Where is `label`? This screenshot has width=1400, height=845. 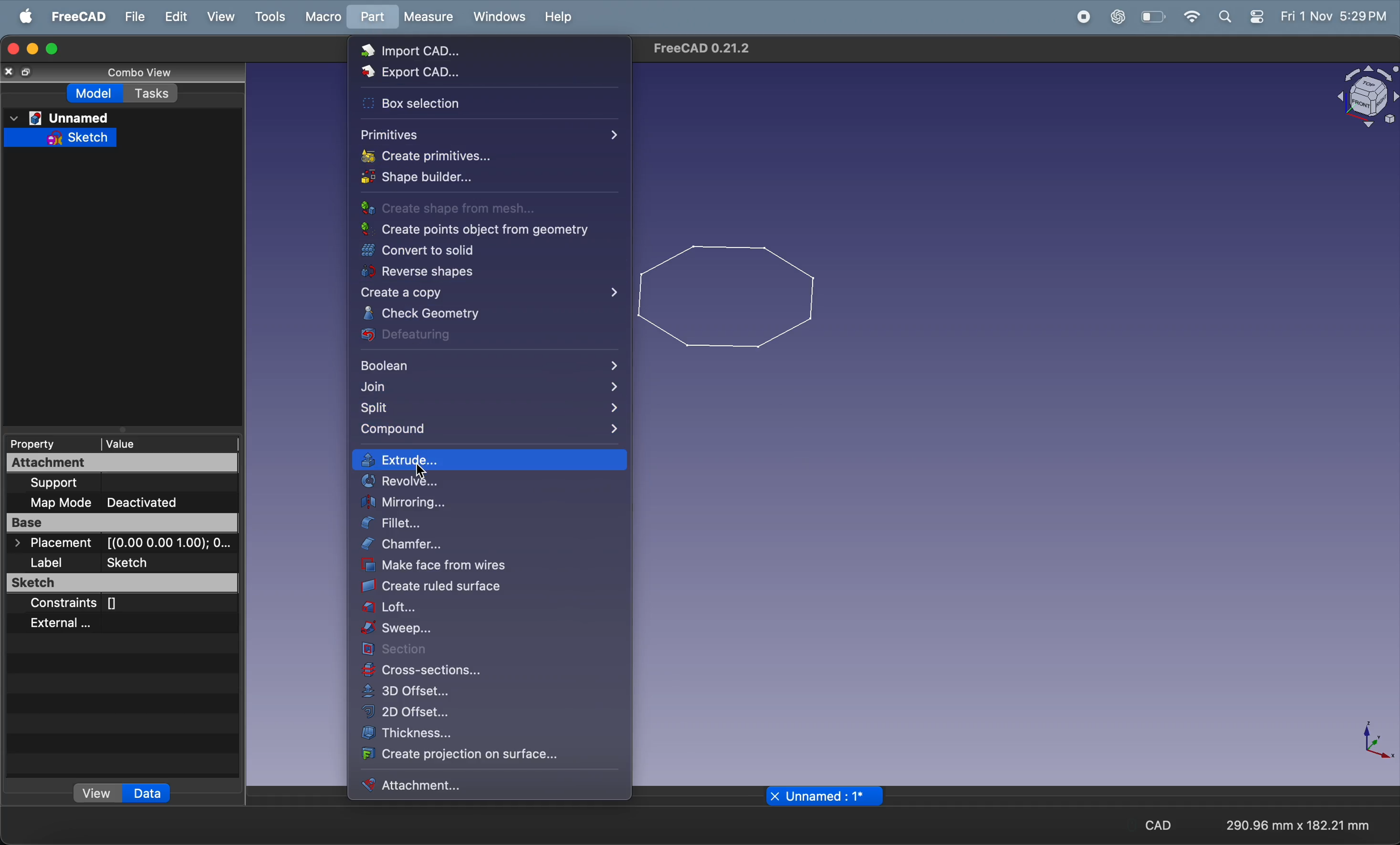
label is located at coordinates (44, 564).